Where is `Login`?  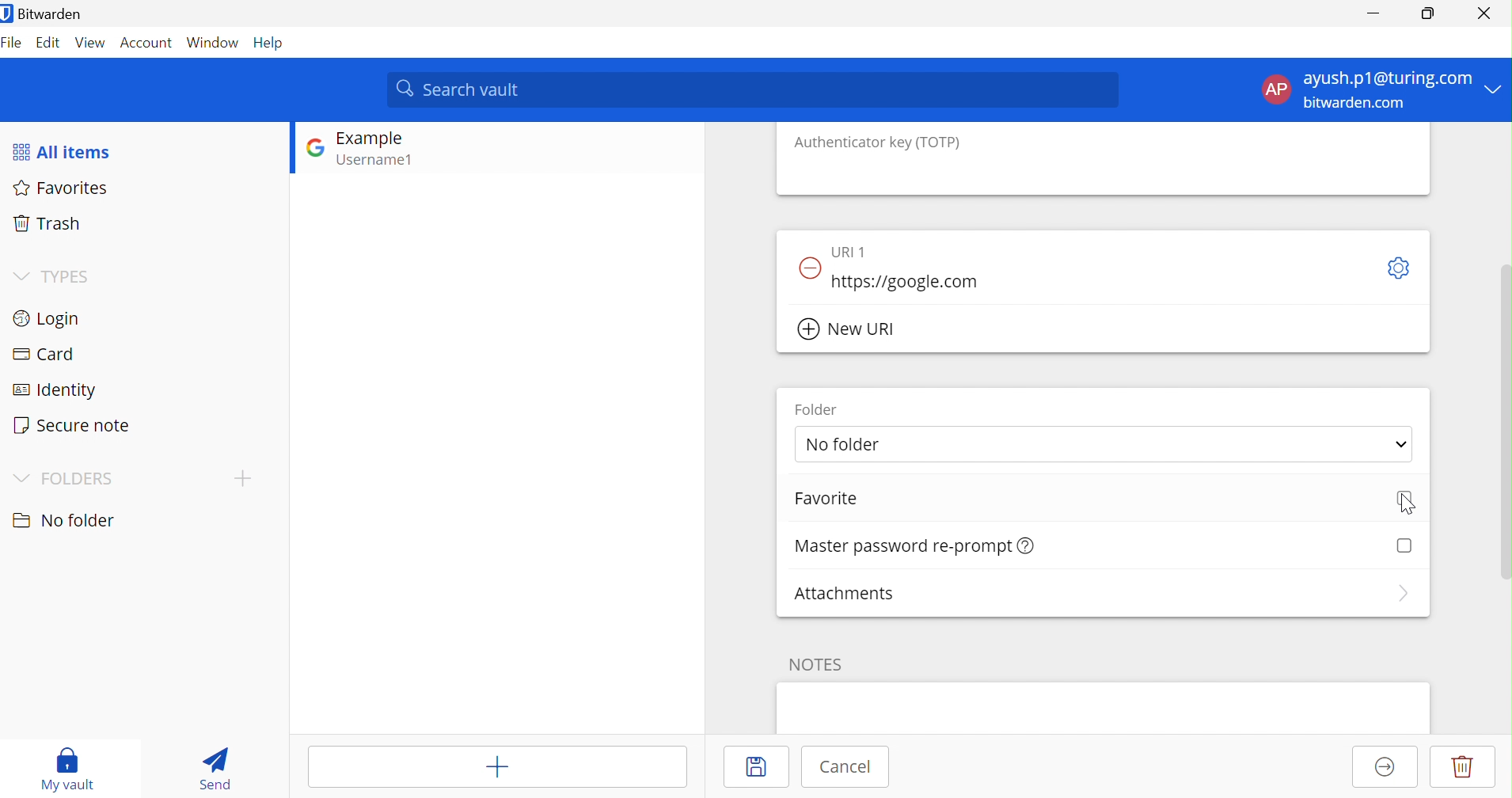
Login is located at coordinates (47, 317).